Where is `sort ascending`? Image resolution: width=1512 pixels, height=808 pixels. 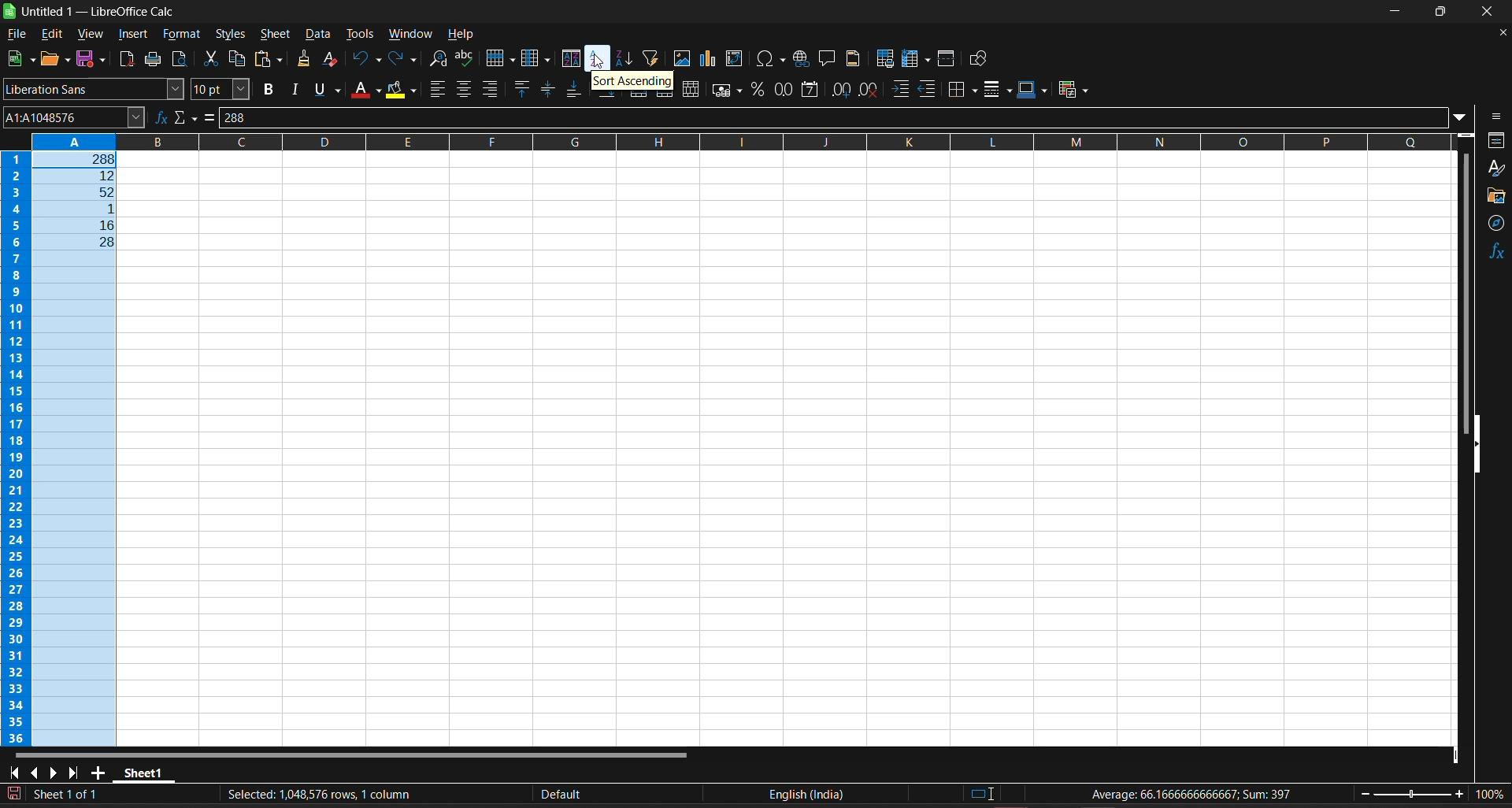 sort ascending is located at coordinates (598, 59).